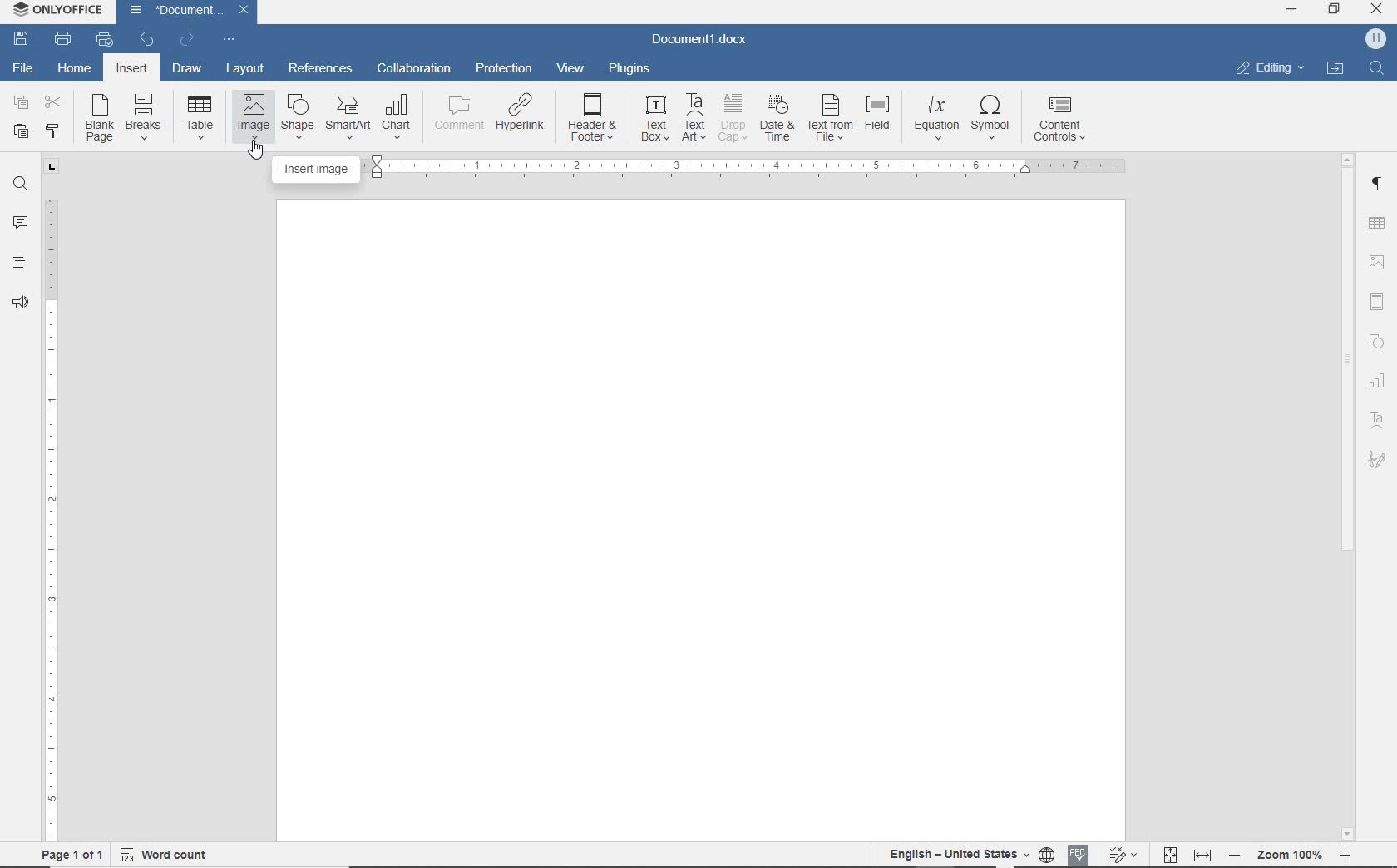 This screenshot has width=1397, height=868. Describe the element at coordinates (62, 40) in the screenshot. I see `print` at that location.